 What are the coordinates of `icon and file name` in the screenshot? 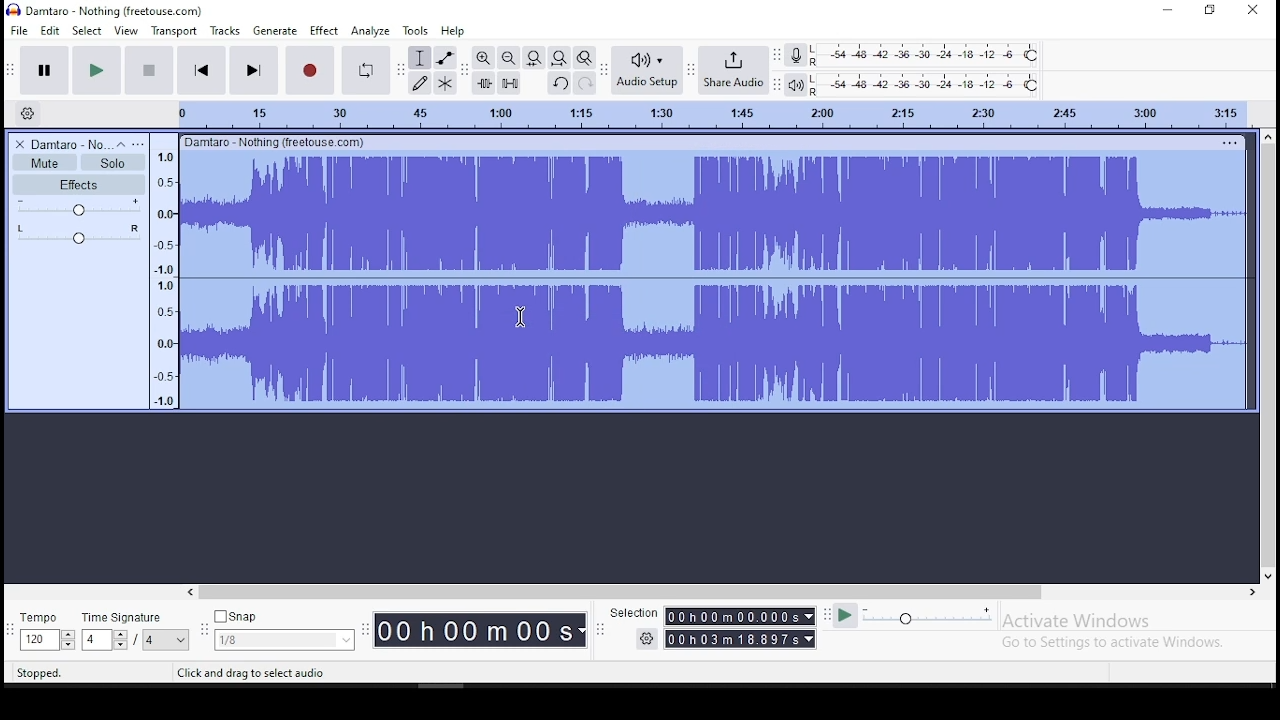 It's located at (107, 10).